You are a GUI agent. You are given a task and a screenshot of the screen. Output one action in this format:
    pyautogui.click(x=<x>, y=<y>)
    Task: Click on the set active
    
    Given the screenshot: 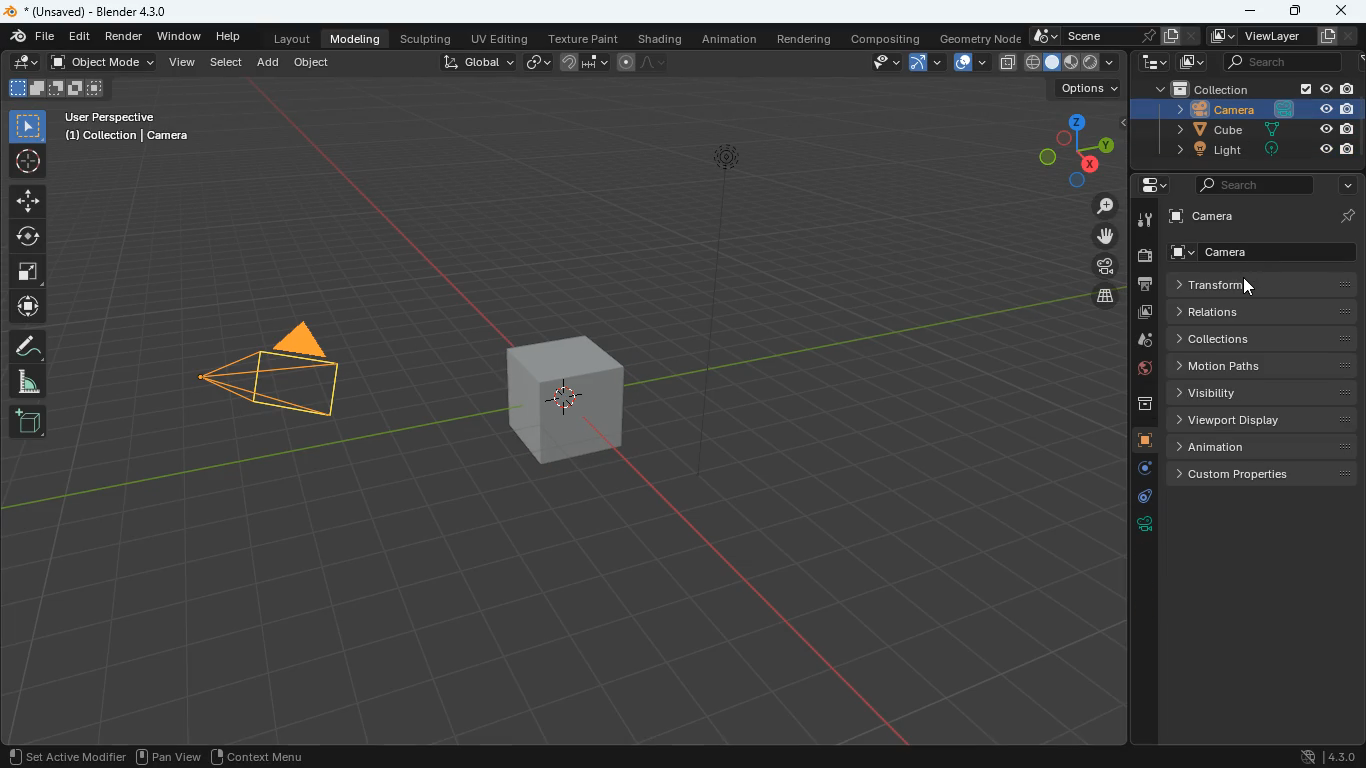 What is the action you would take?
    pyautogui.click(x=67, y=756)
    